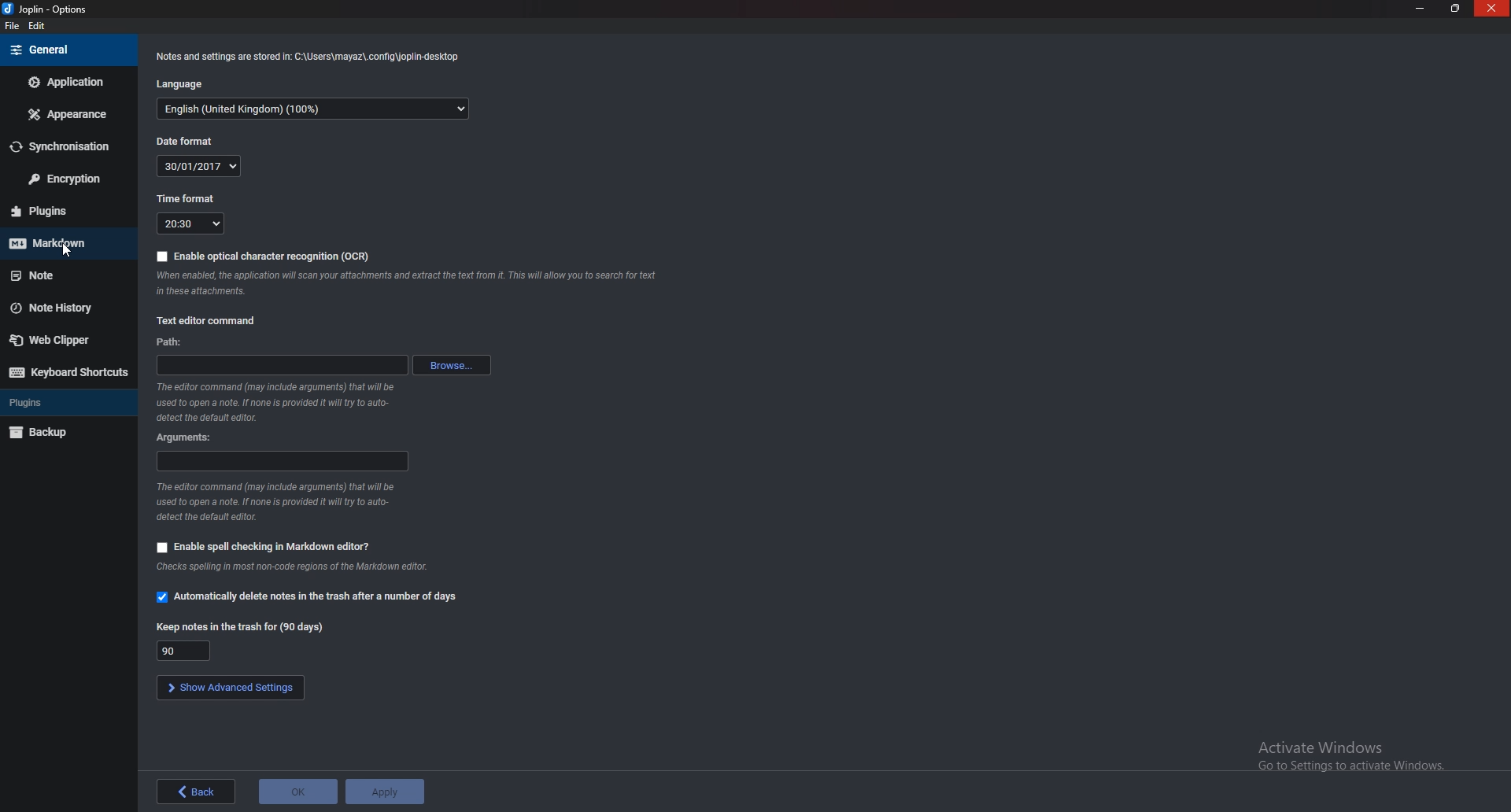 The width and height of the screenshot is (1511, 812). Describe the element at coordinates (68, 252) in the screenshot. I see `cursor` at that location.